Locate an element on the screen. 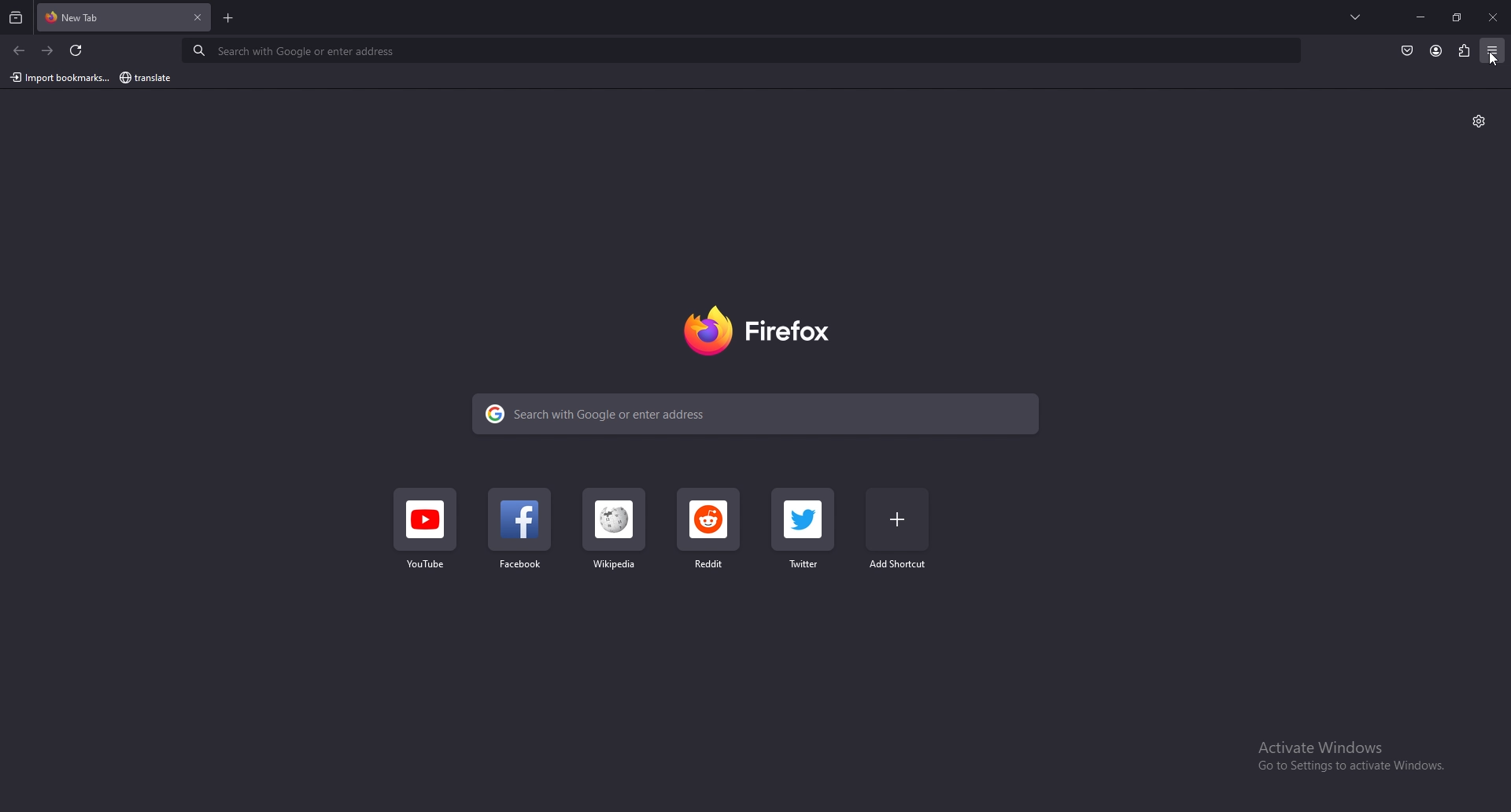 The height and width of the screenshot is (812, 1511). recent browsing is located at coordinates (16, 17).